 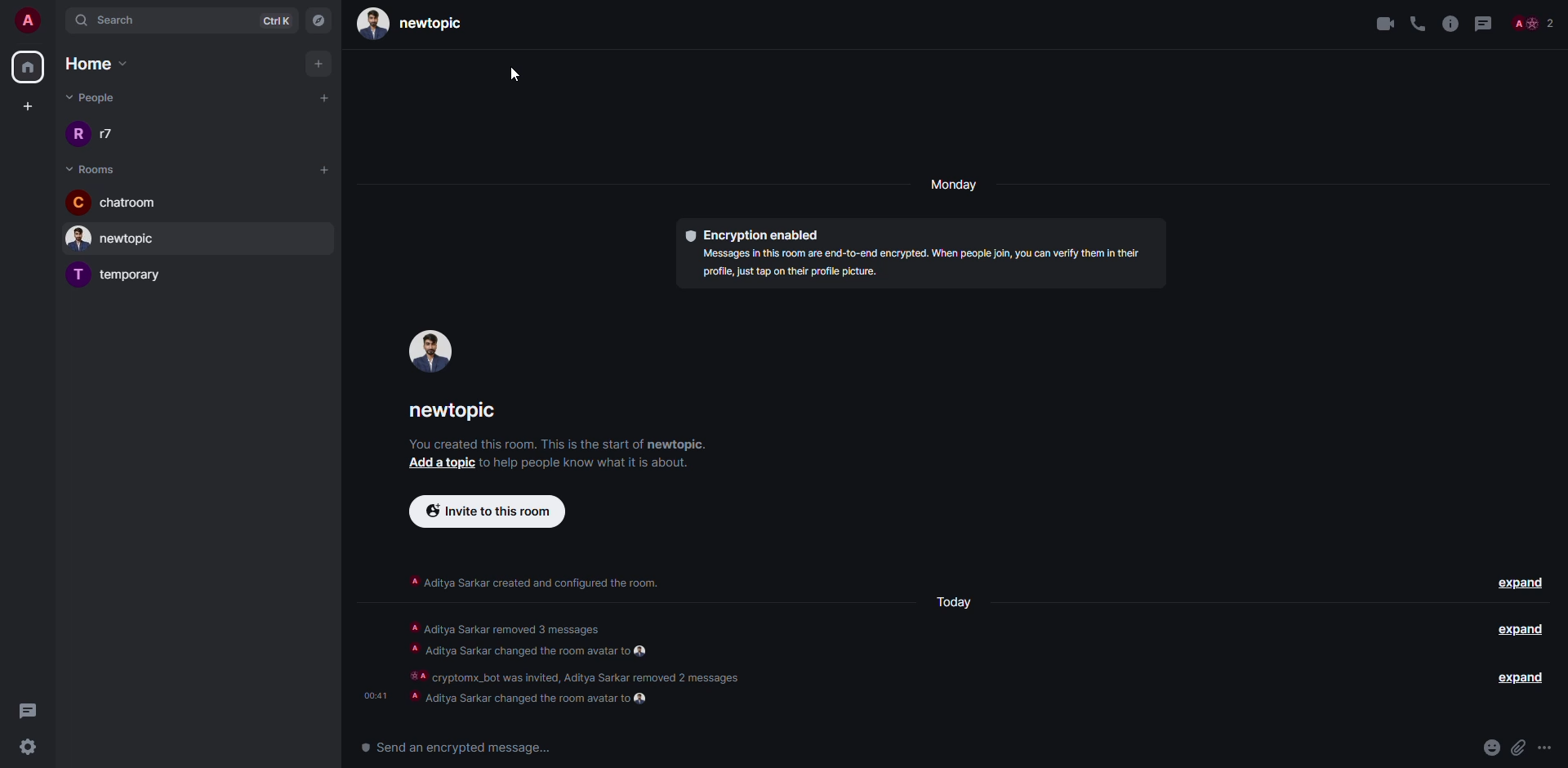 I want to click on Monday, so click(x=957, y=605).